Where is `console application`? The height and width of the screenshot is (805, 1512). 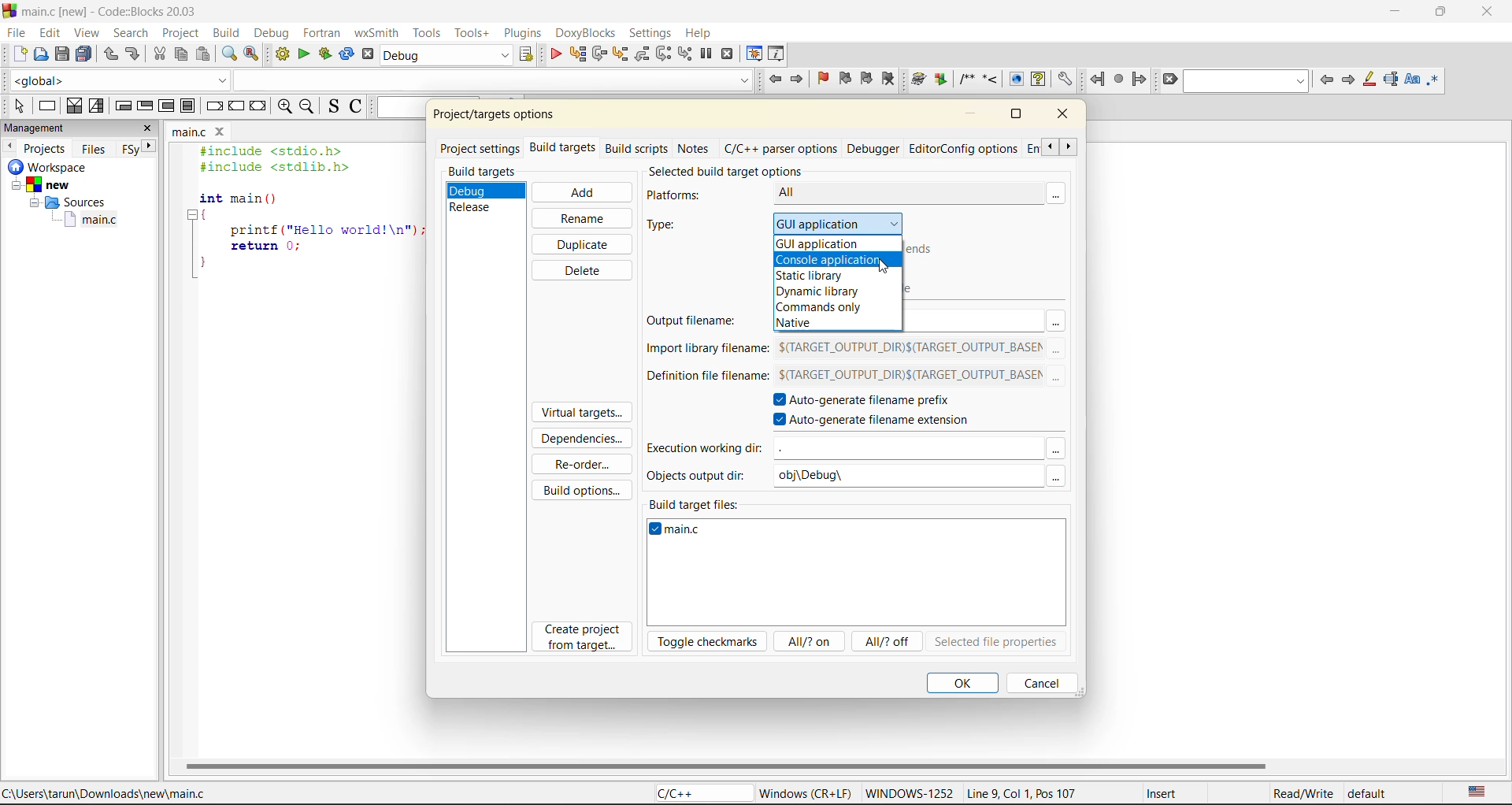
console application is located at coordinates (828, 260).